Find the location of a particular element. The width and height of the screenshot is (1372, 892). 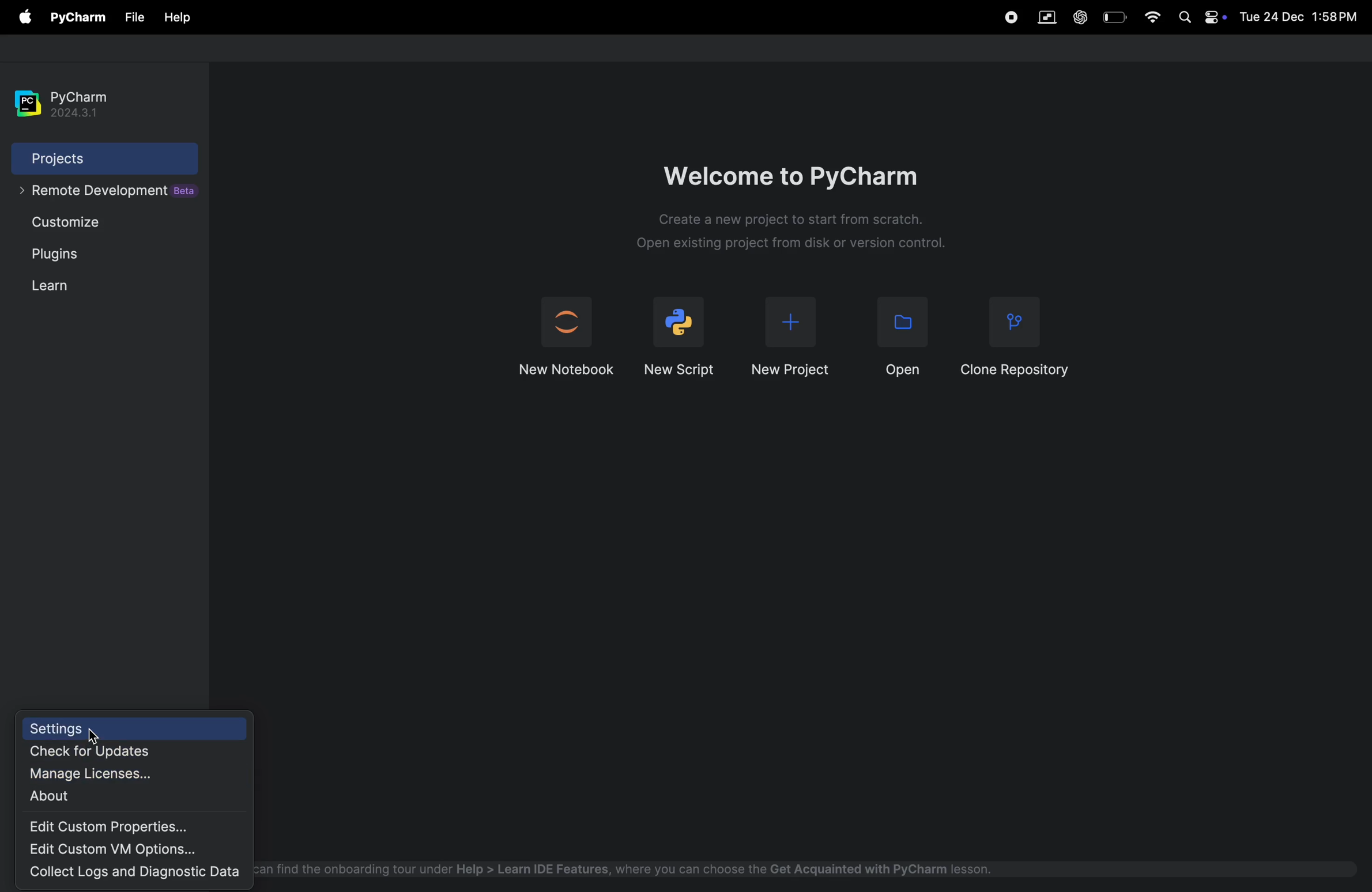

edit custom properties is located at coordinates (124, 826).